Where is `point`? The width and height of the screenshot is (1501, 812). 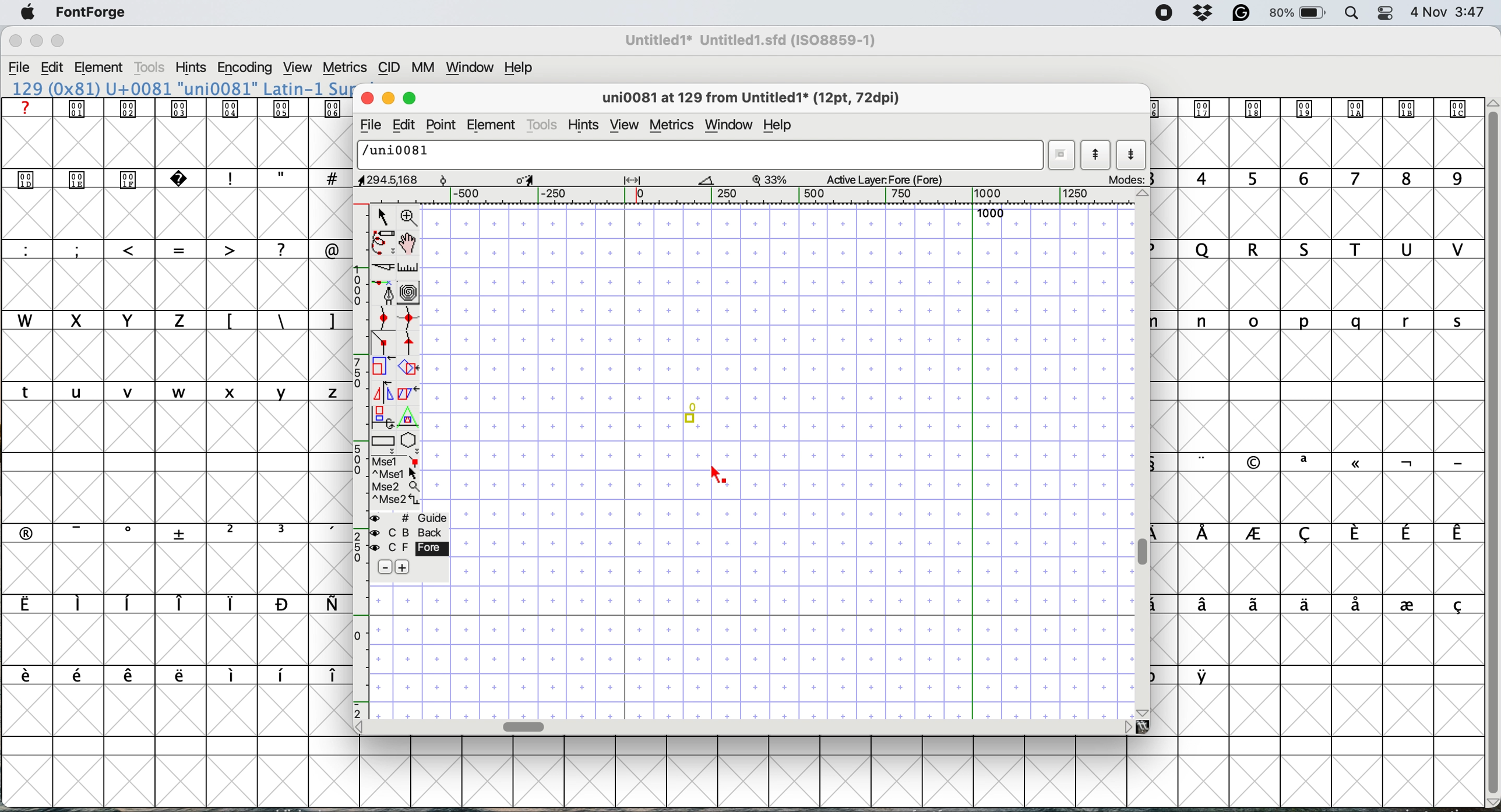 point is located at coordinates (440, 125).